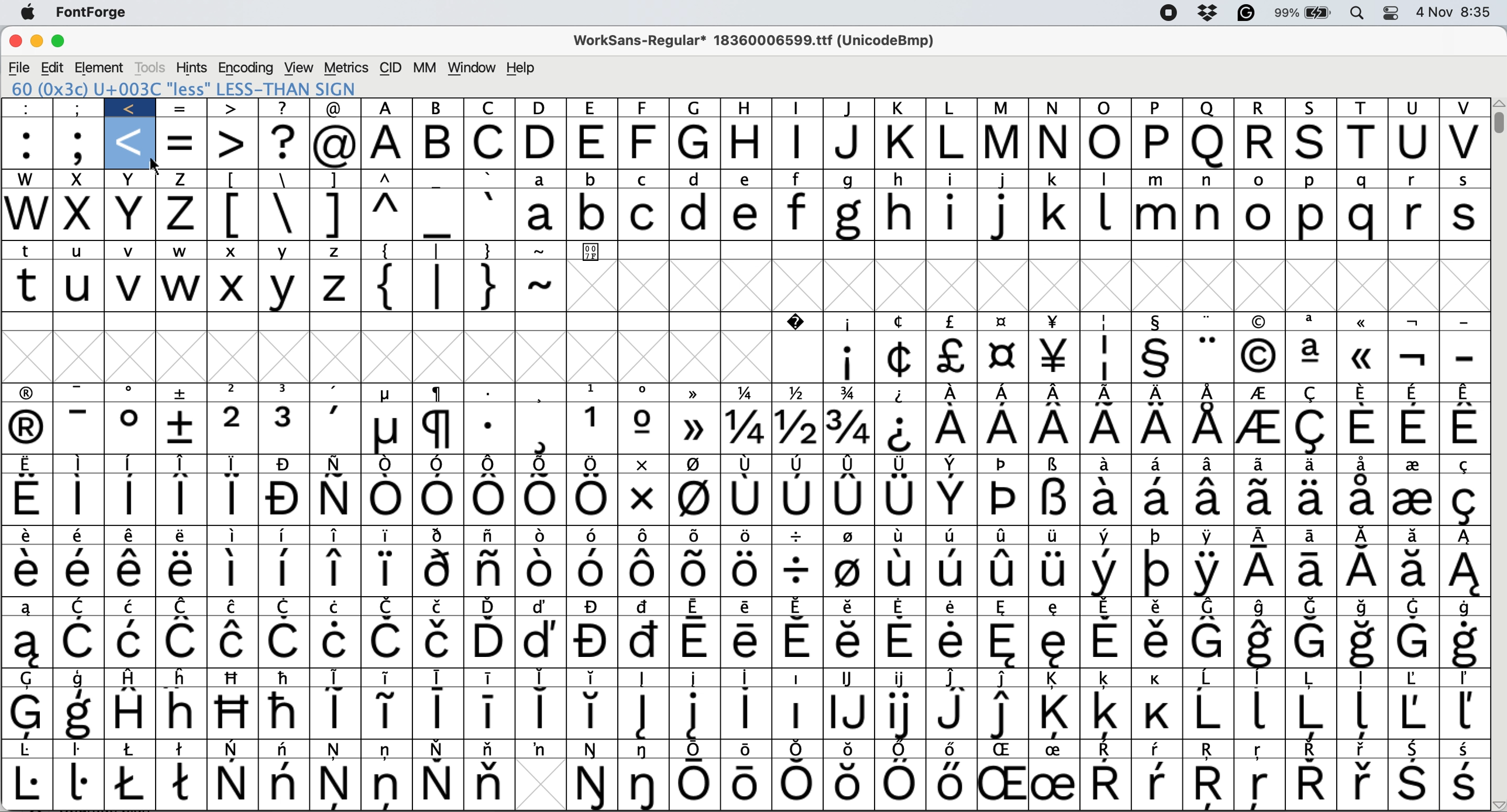 The image size is (1507, 812). Describe the element at coordinates (336, 251) in the screenshot. I see `Z` at that location.